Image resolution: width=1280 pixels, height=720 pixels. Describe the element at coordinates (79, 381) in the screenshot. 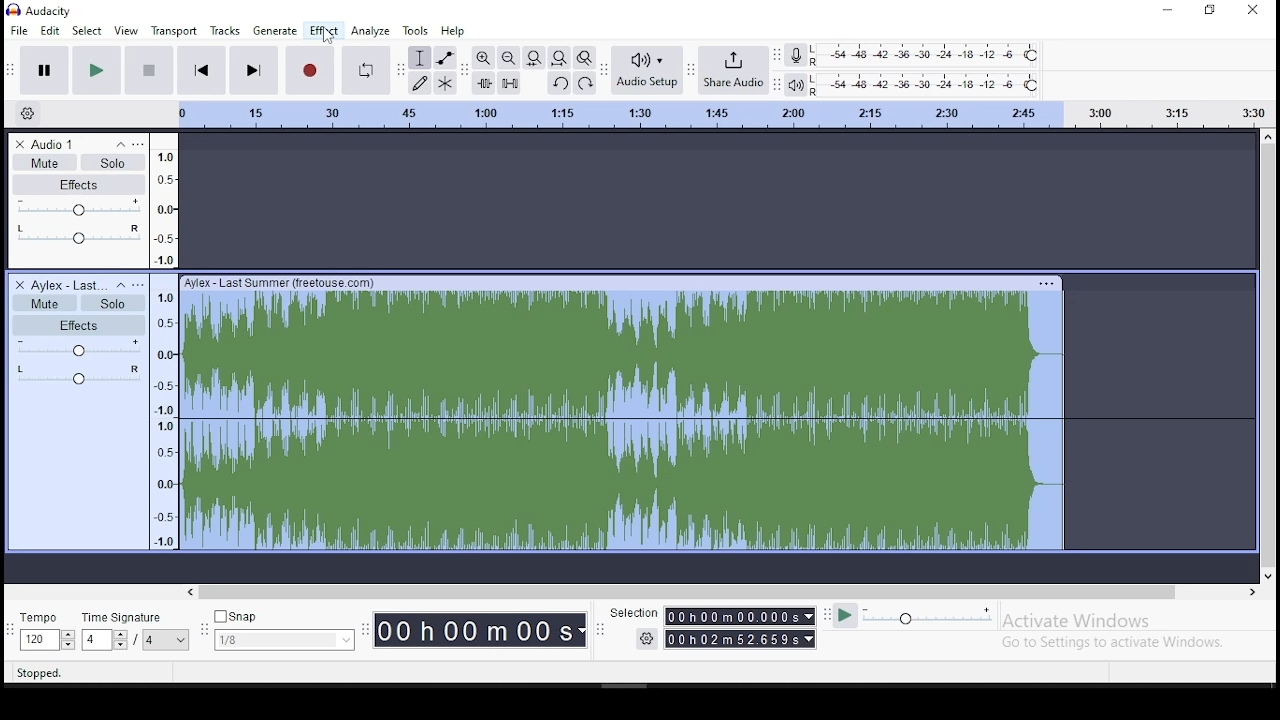

I see `audio effect` at that location.